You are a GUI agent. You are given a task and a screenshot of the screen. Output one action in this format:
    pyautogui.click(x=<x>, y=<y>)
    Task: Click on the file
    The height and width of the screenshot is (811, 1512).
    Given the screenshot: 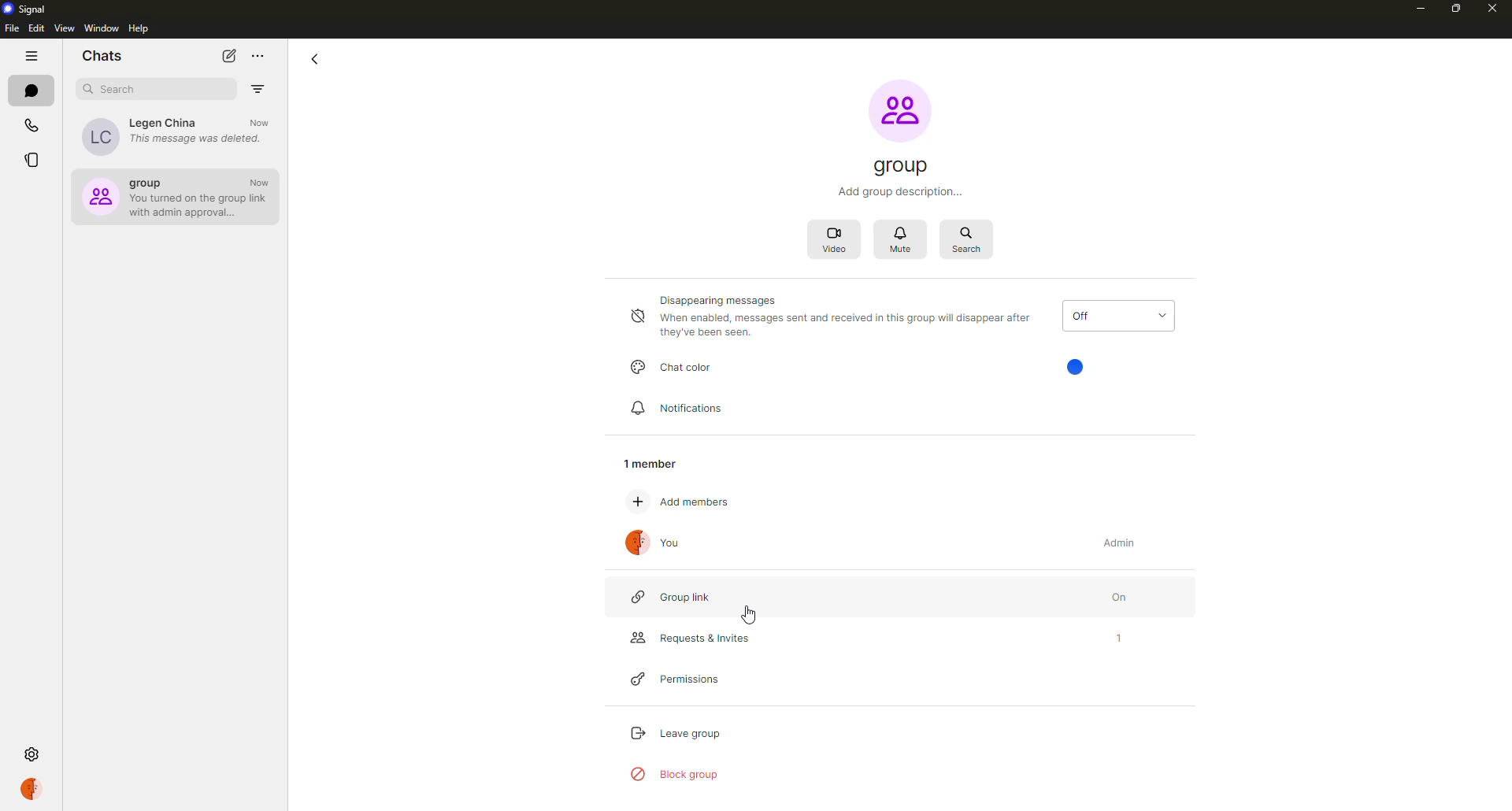 What is the action you would take?
    pyautogui.click(x=10, y=28)
    